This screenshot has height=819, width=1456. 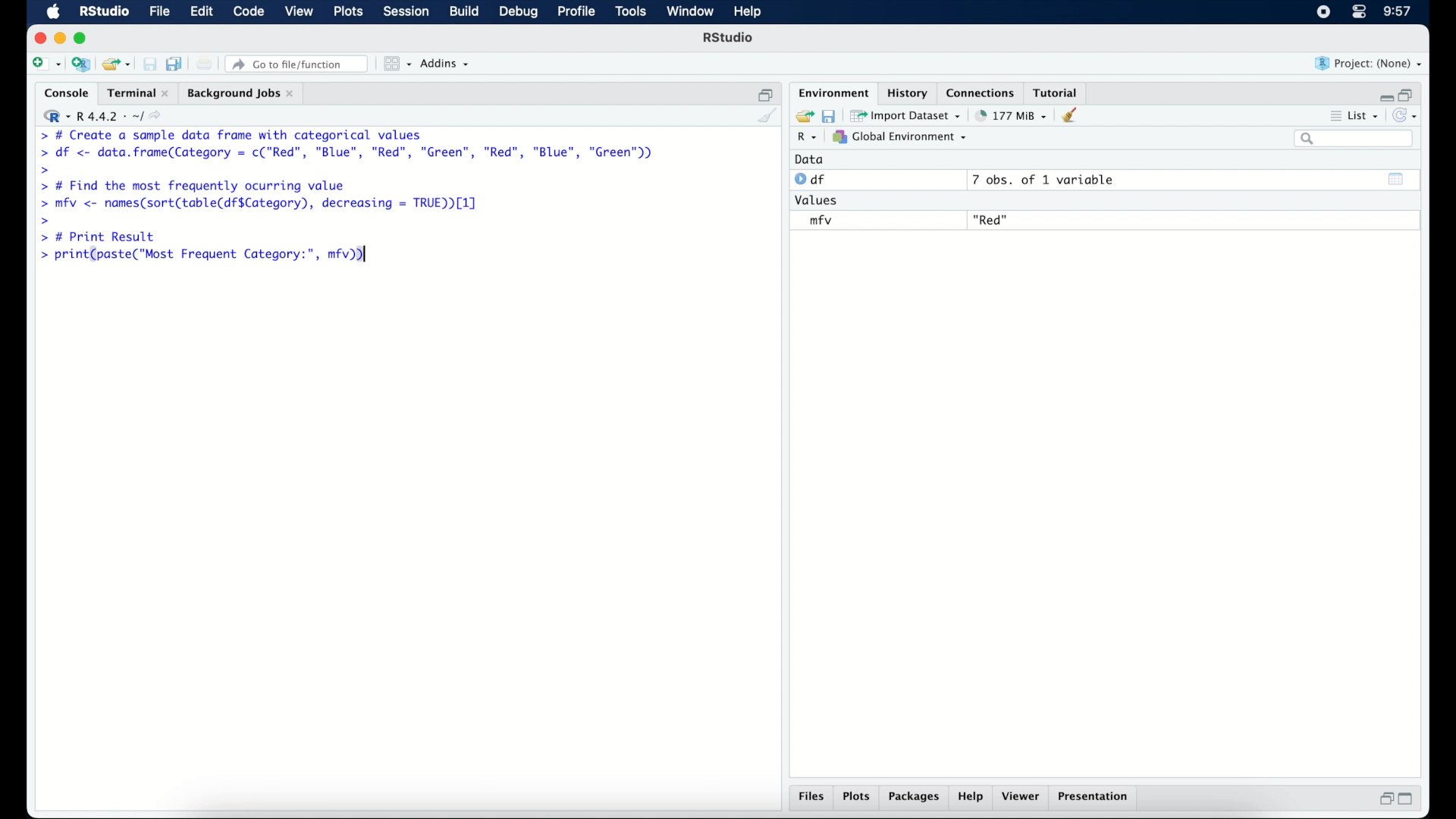 What do you see at coordinates (992, 218) in the screenshot?
I see `"Red"` at bounding box center [992, 218].